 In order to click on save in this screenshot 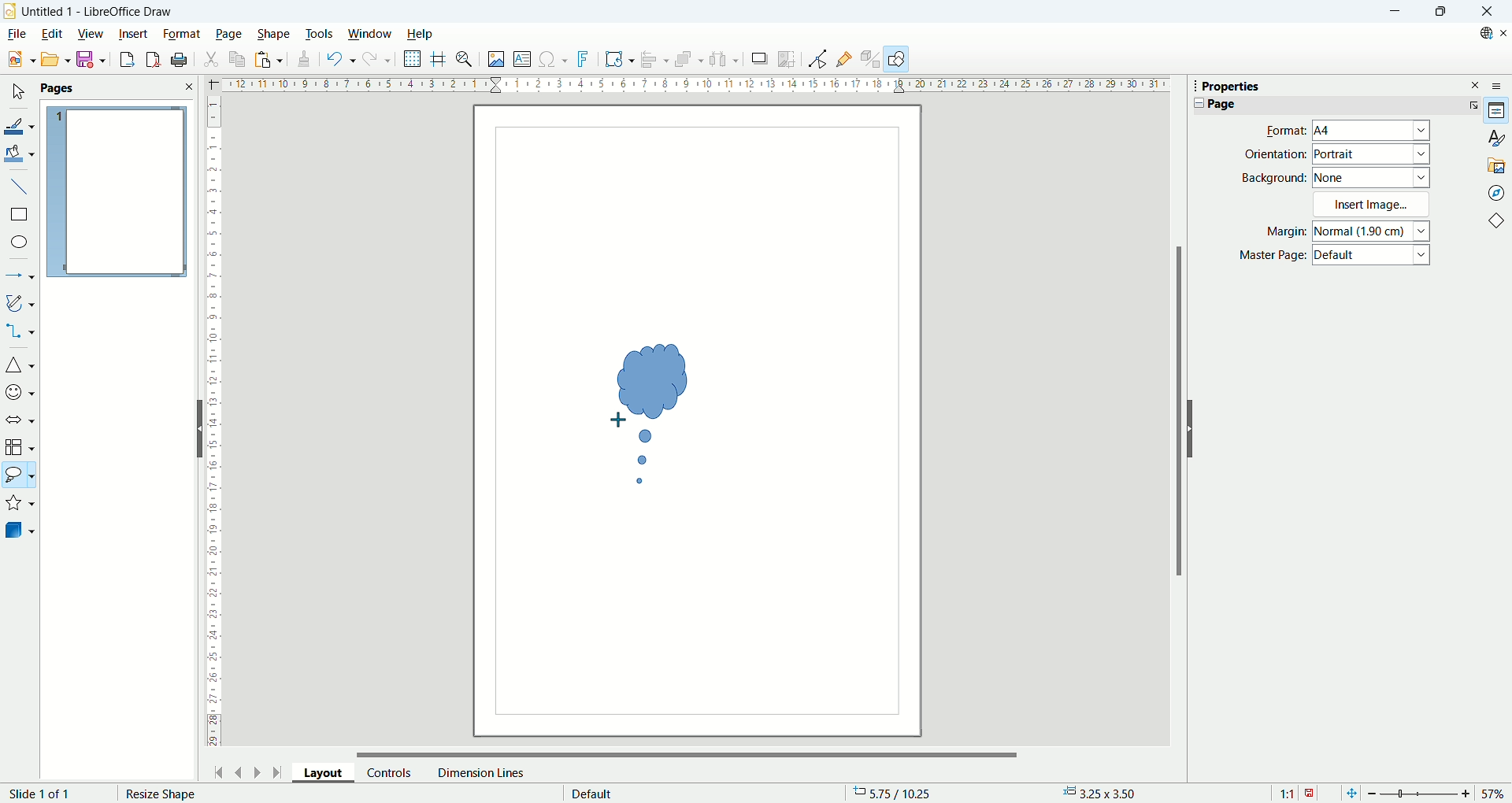, I will do `click(91, 60)`.